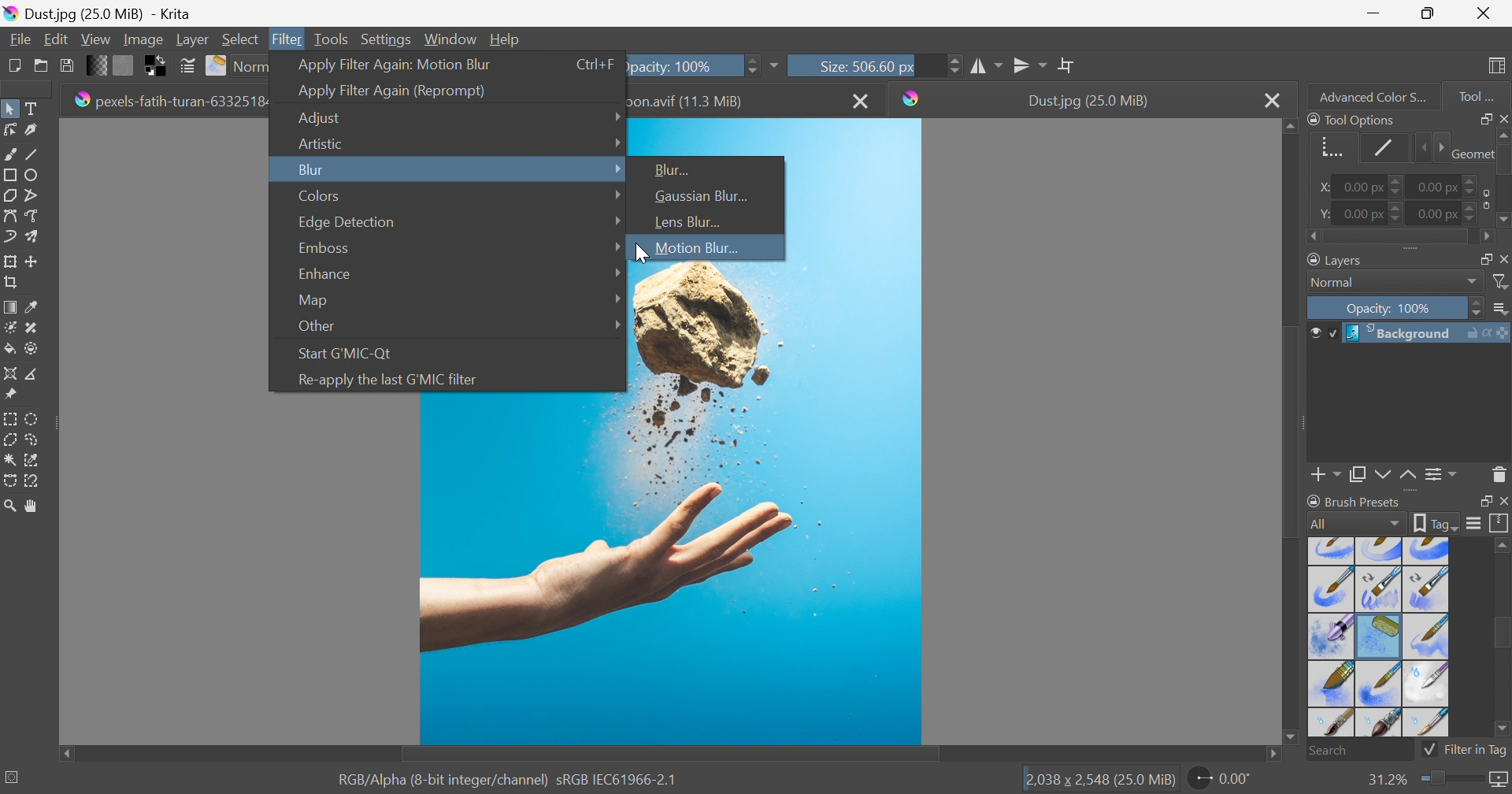 This screenshot has width=1512, height=794. I want to click on Drop Down, so click(614, 195).